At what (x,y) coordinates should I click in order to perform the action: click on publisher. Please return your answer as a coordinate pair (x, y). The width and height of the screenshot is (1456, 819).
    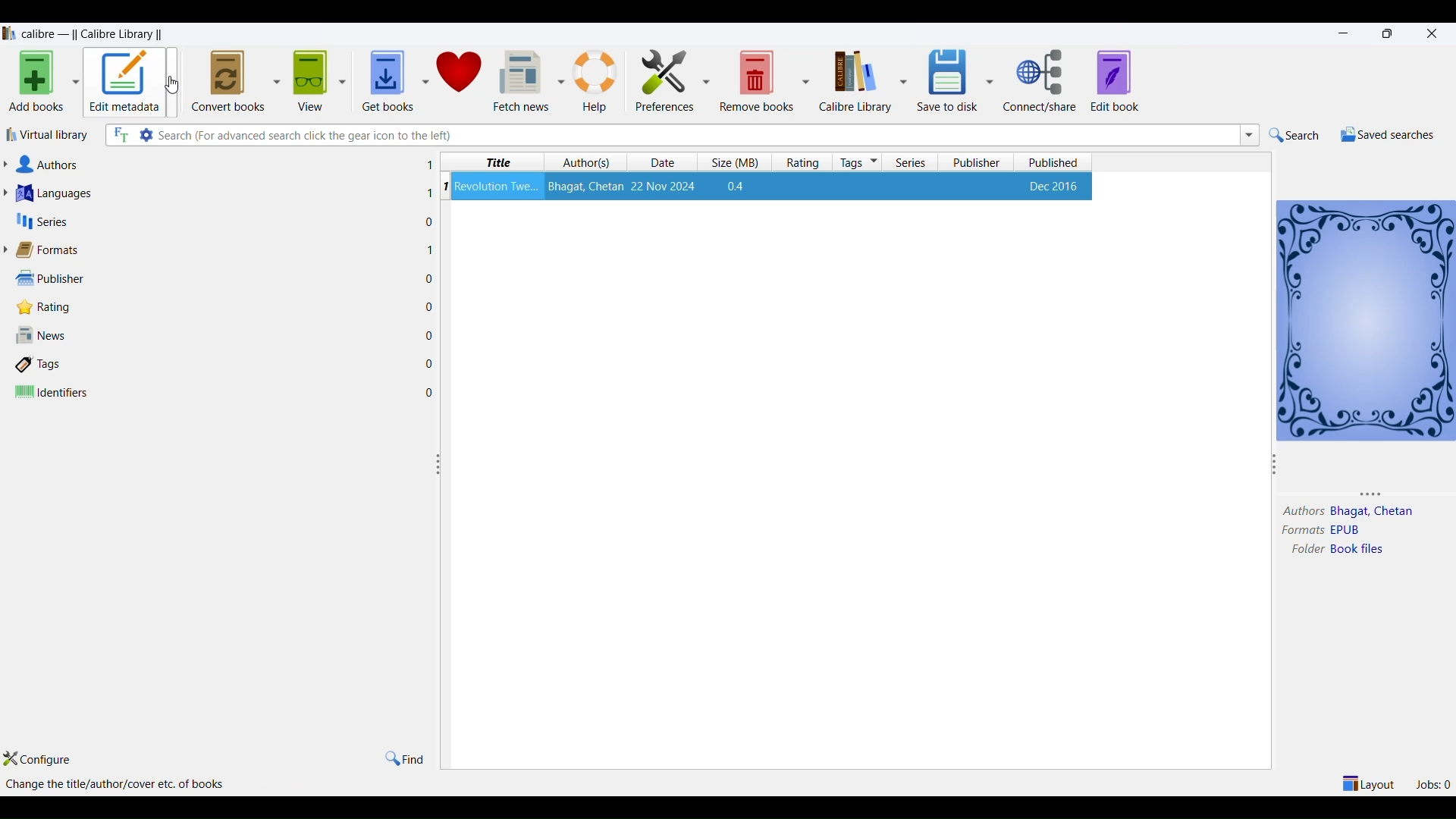
    Looking at the image, I should click on (981, 162).